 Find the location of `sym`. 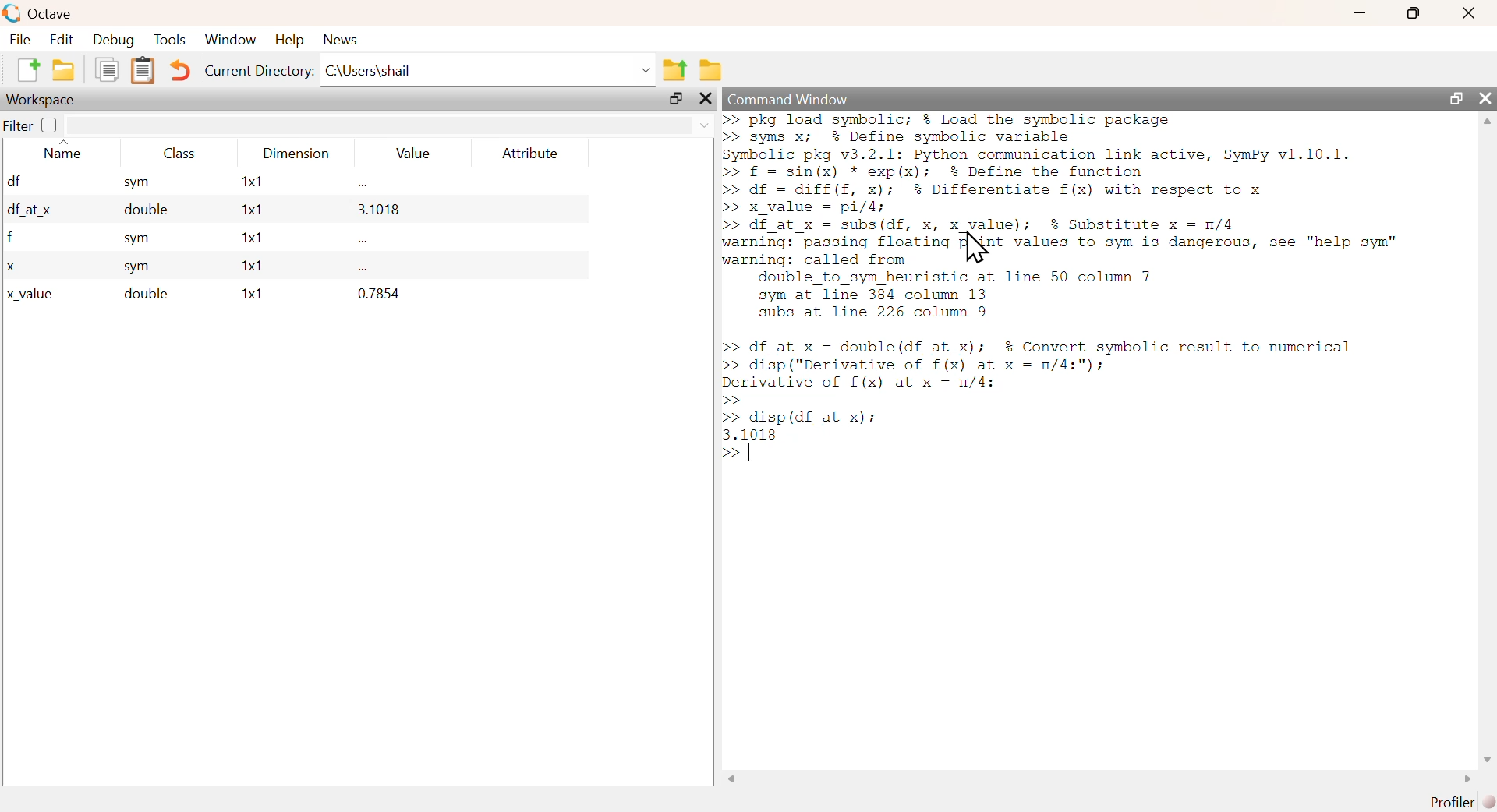

sym is located at coordinates (136, 183).